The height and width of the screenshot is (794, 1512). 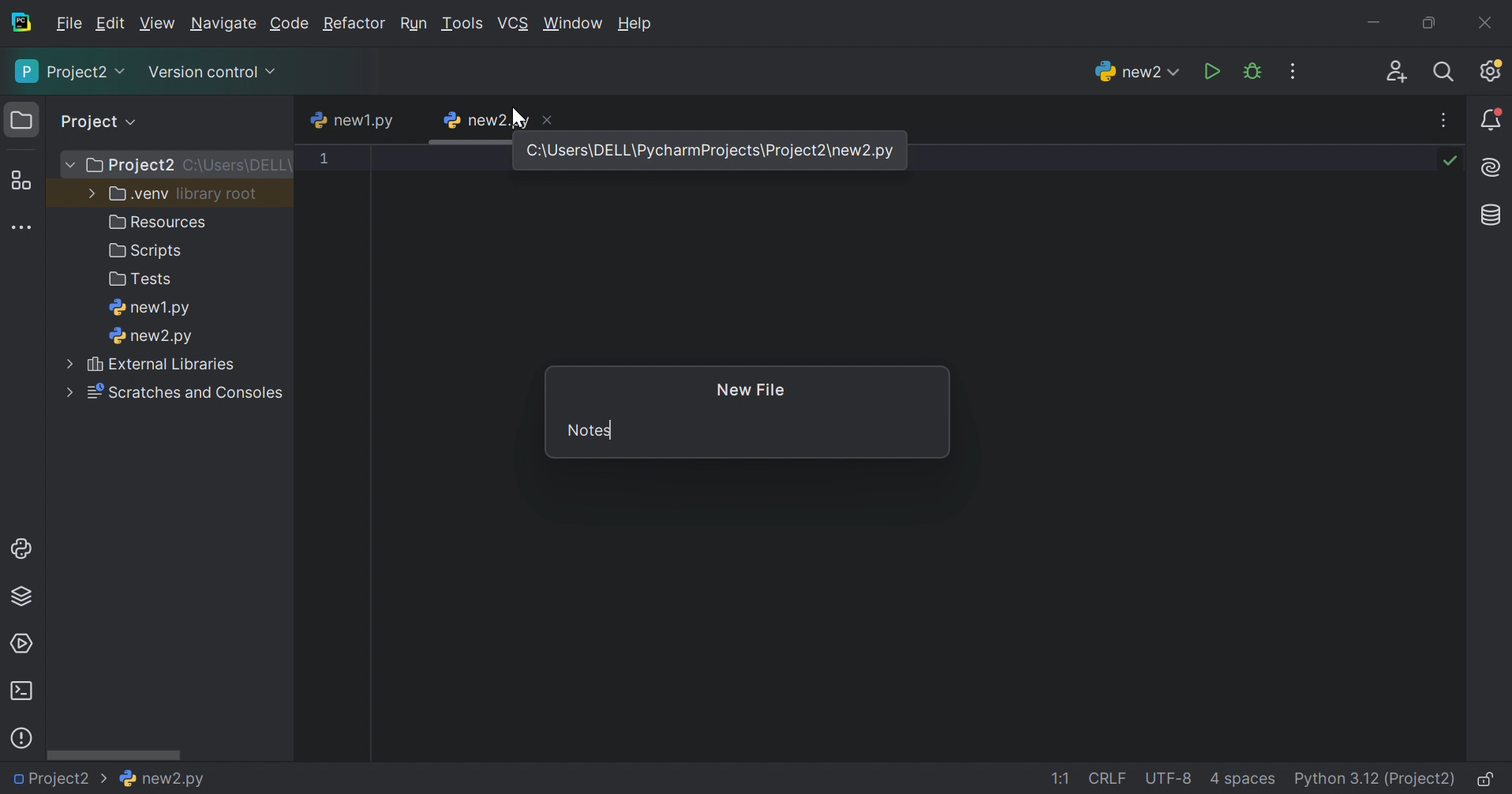 What do you see at coordinates (21, 227) in the screenshot?
I see `More tool windows` at bounding box center [21, 227].